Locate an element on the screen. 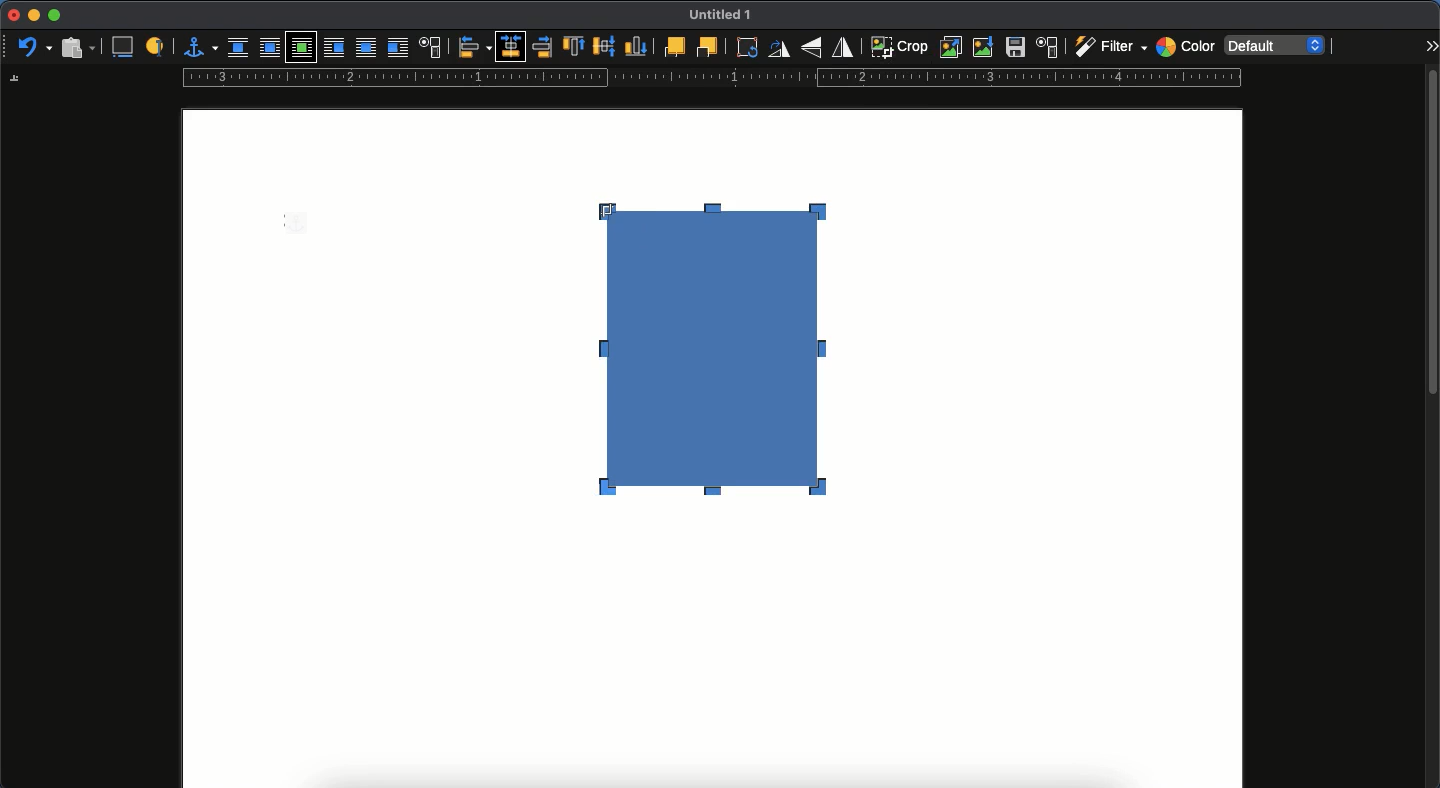  flip vertically  is located at coordinates (814, 47).